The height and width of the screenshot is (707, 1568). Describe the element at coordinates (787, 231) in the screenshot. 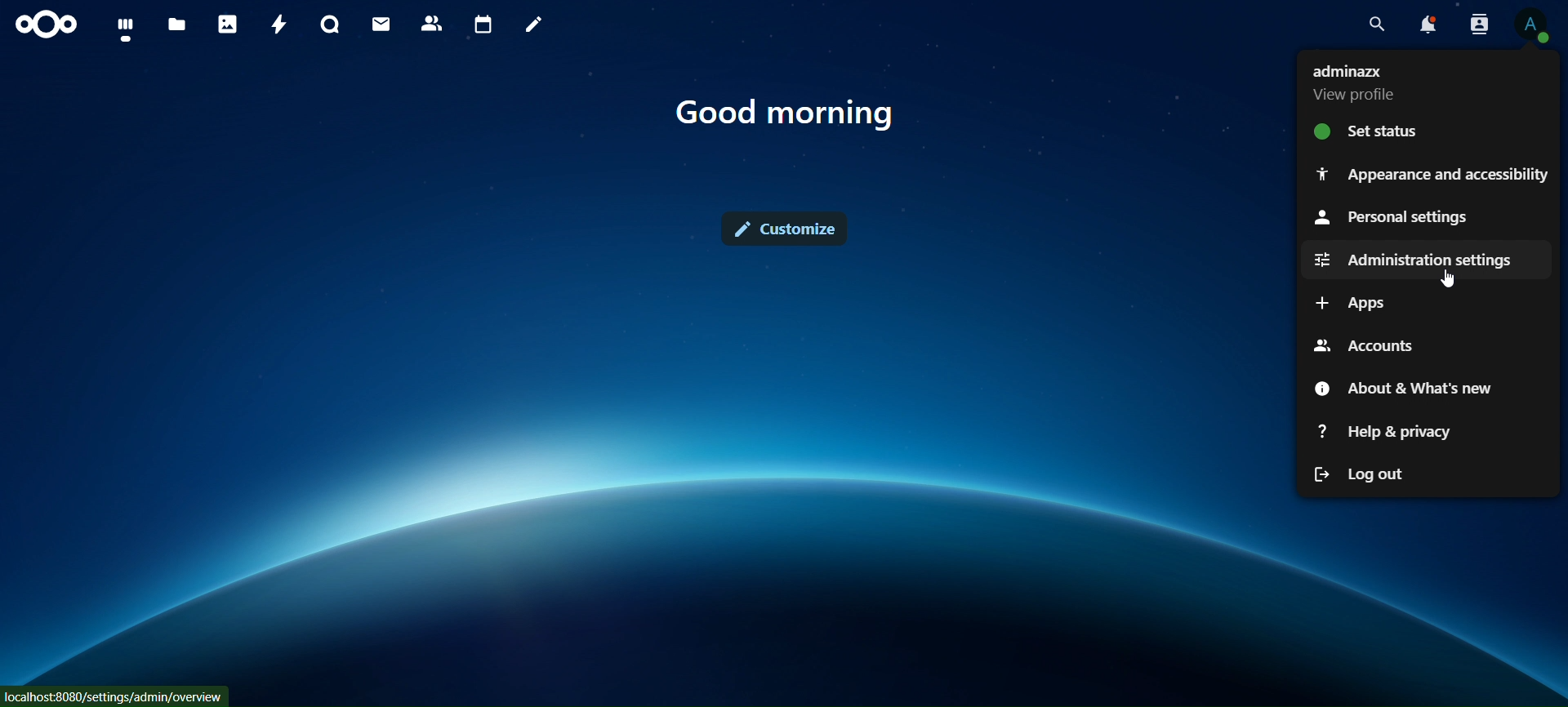

I see `customize` at that location.